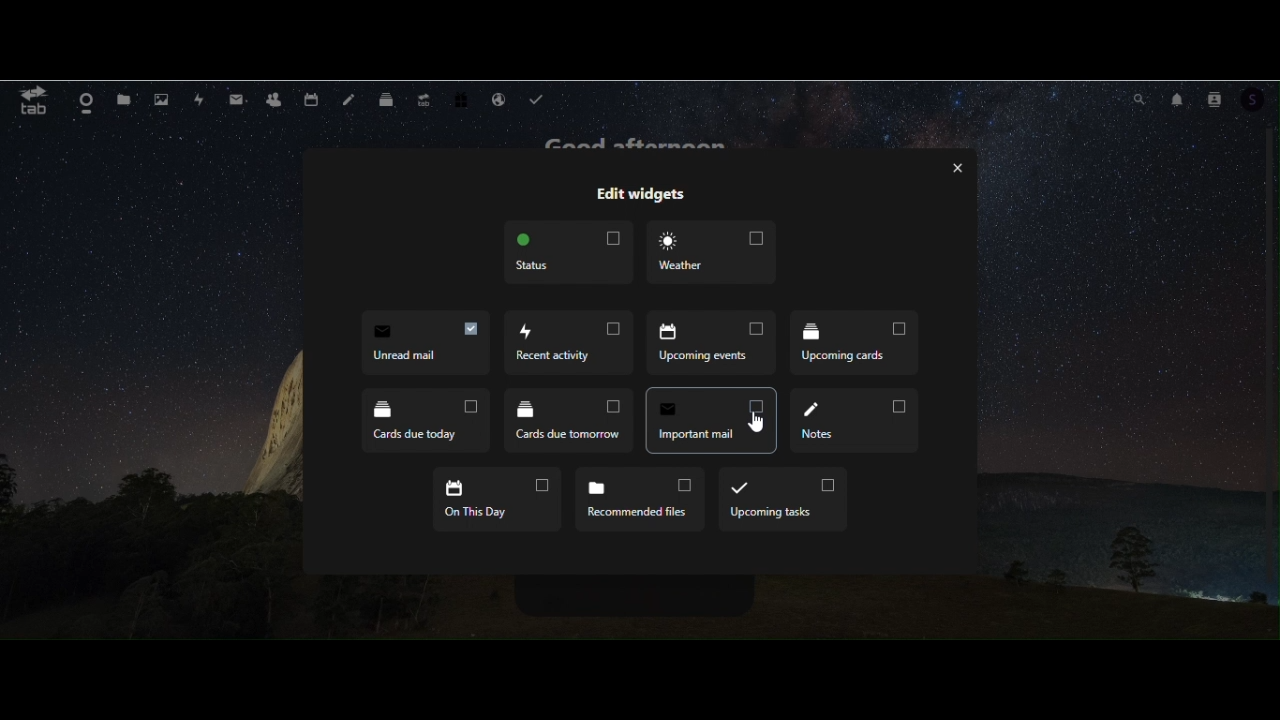 Image resolution: width=1280 pixels, height=720 pixels. Describe the element at coordinates (31, 102) in the screenshot. I see `tab` at that location.